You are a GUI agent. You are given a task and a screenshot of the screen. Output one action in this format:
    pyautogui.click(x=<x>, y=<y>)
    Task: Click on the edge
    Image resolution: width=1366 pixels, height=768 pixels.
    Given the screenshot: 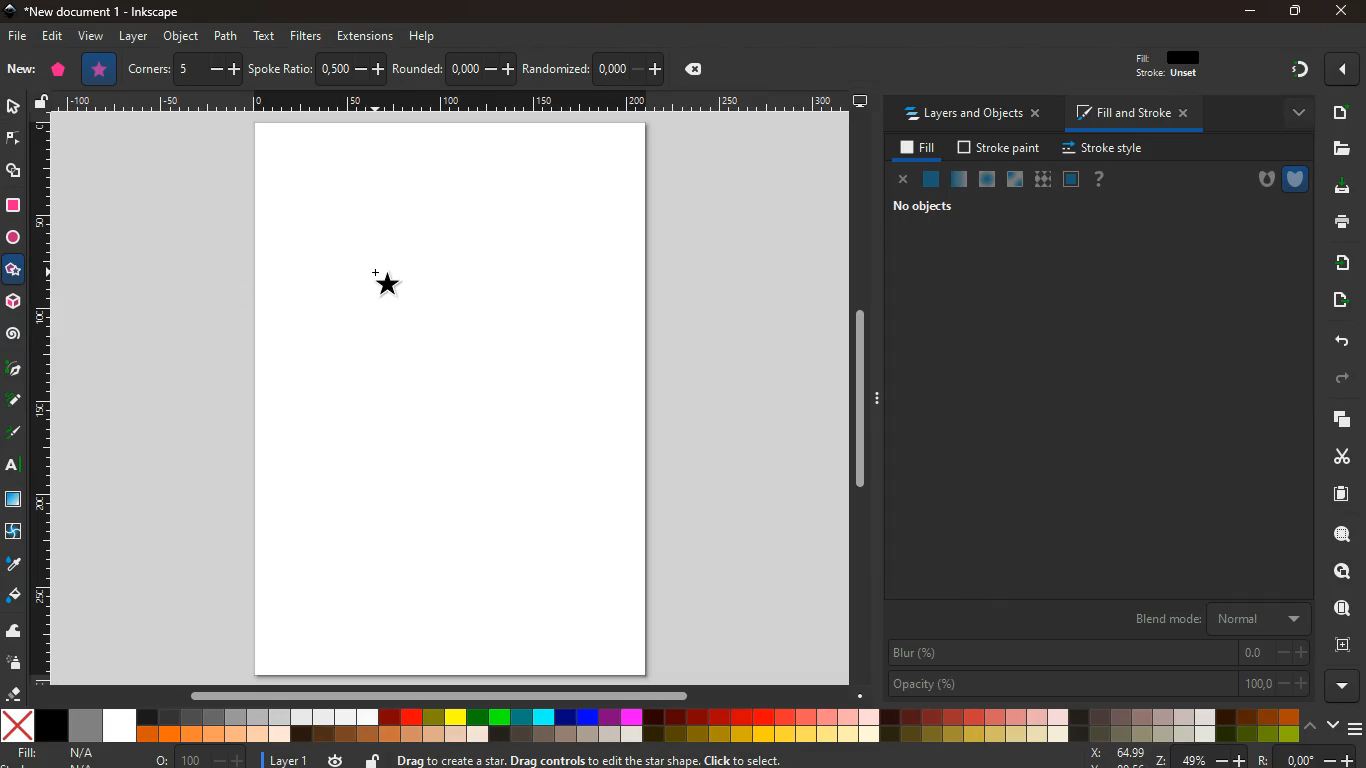 What is the action you would take?
    pyautogui.click(x=13, y=139)
    